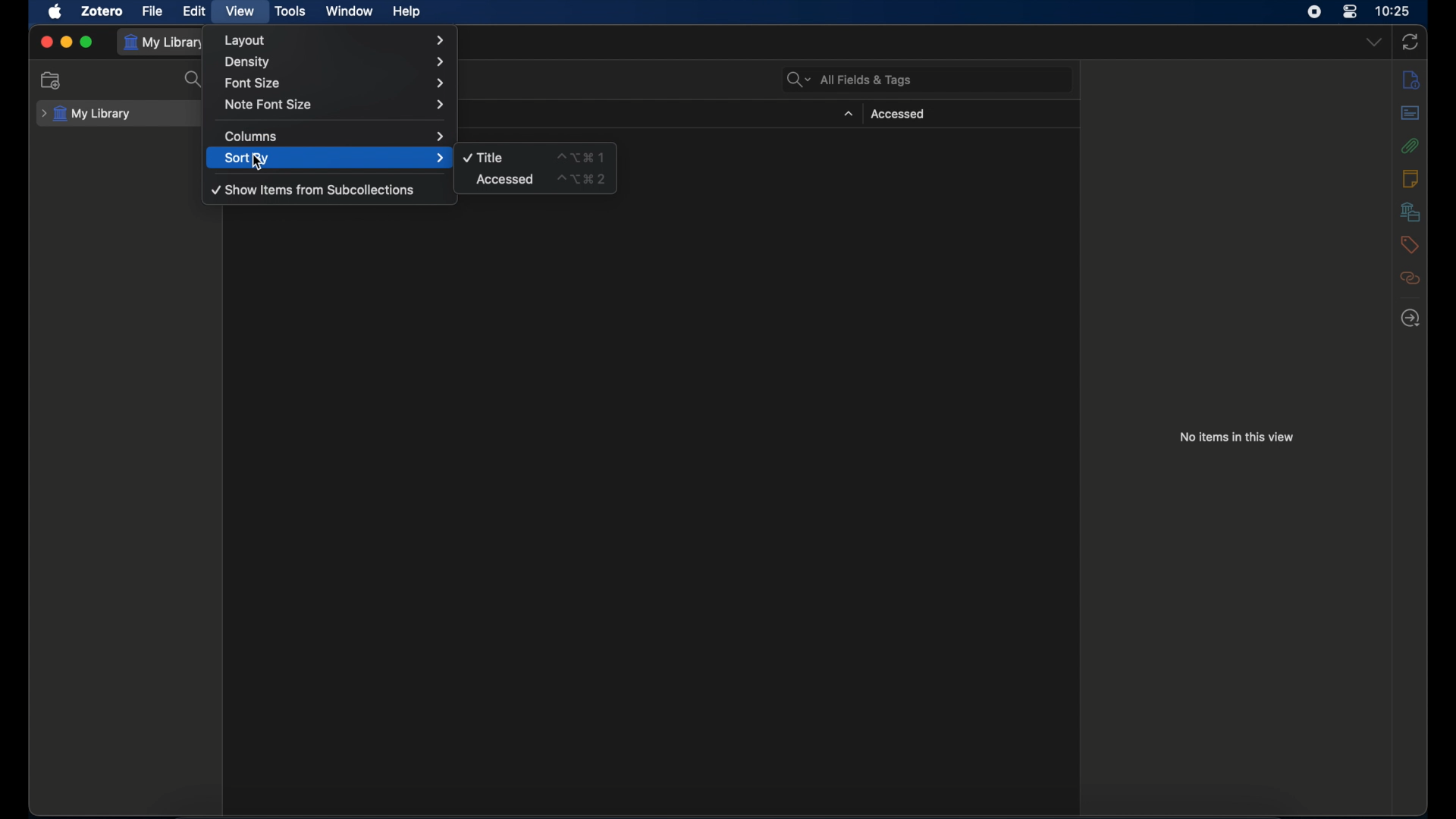 This screenshot has width=1456, height=819. What do you see at coordinates (1410, 146) in the screenshot?
I see `attachments` at bounding box center [1410, 146].